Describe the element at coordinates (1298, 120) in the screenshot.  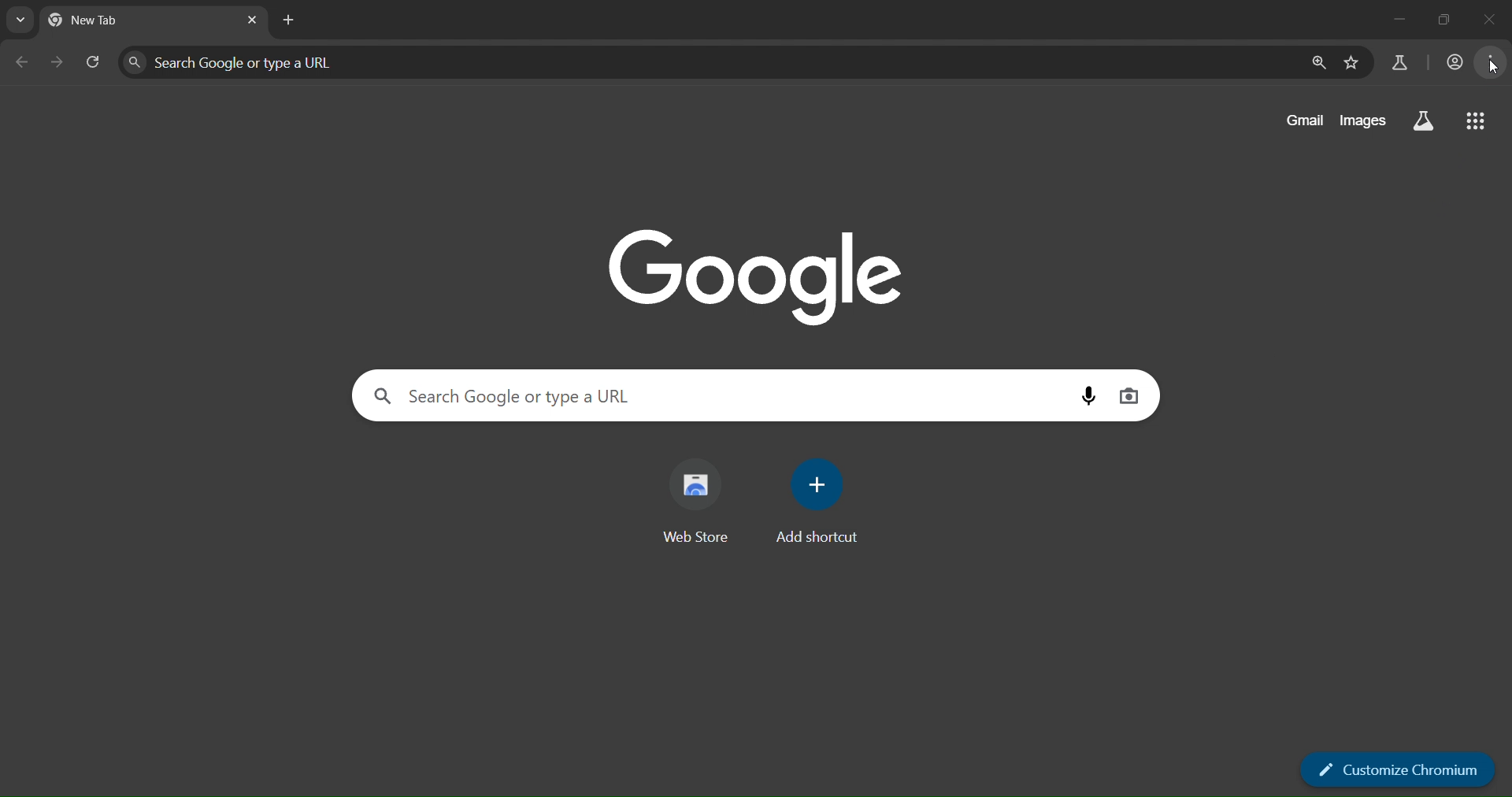
I see `gmail` at that location.